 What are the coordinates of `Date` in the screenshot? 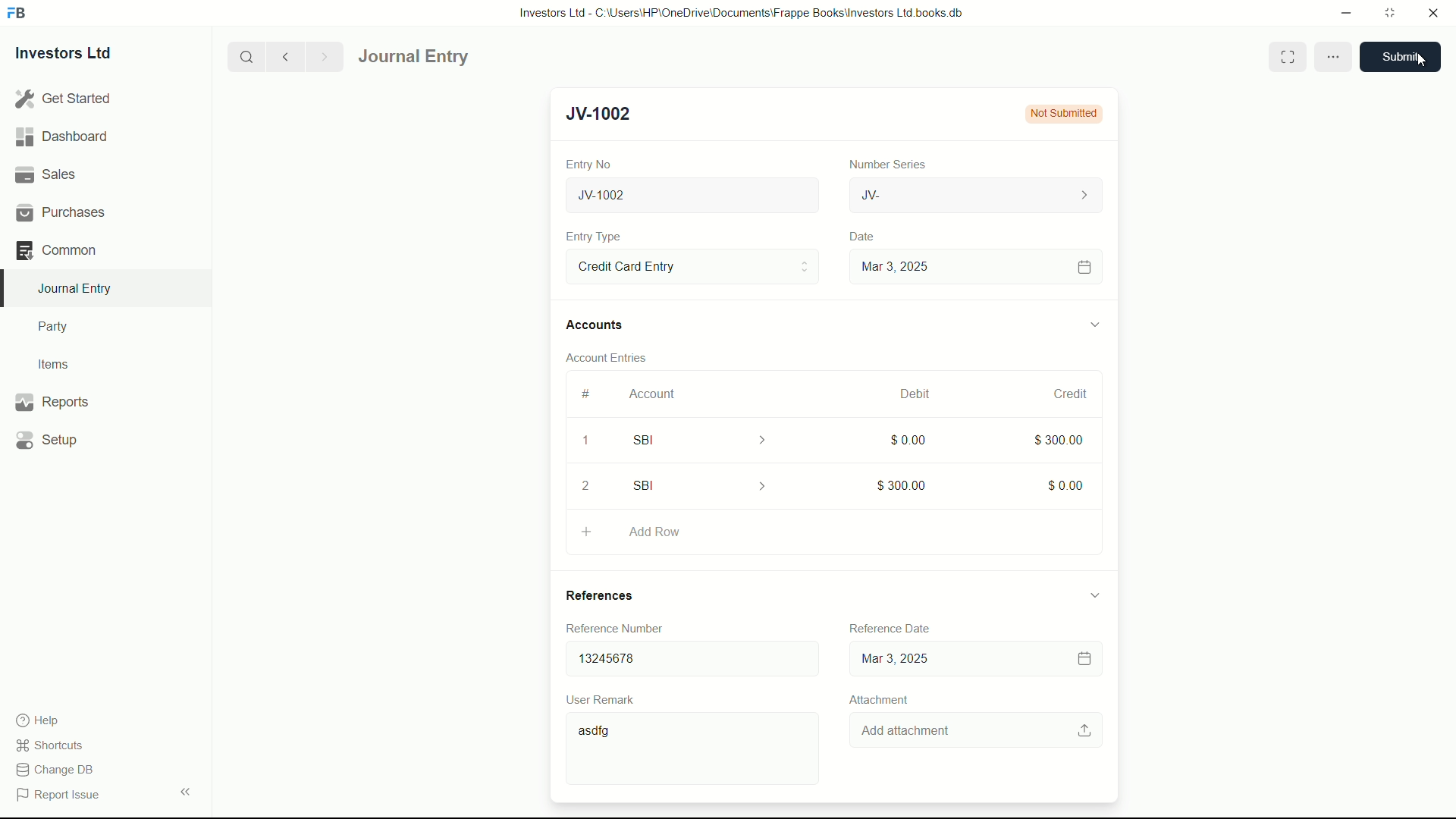 It's located at (864, 237).